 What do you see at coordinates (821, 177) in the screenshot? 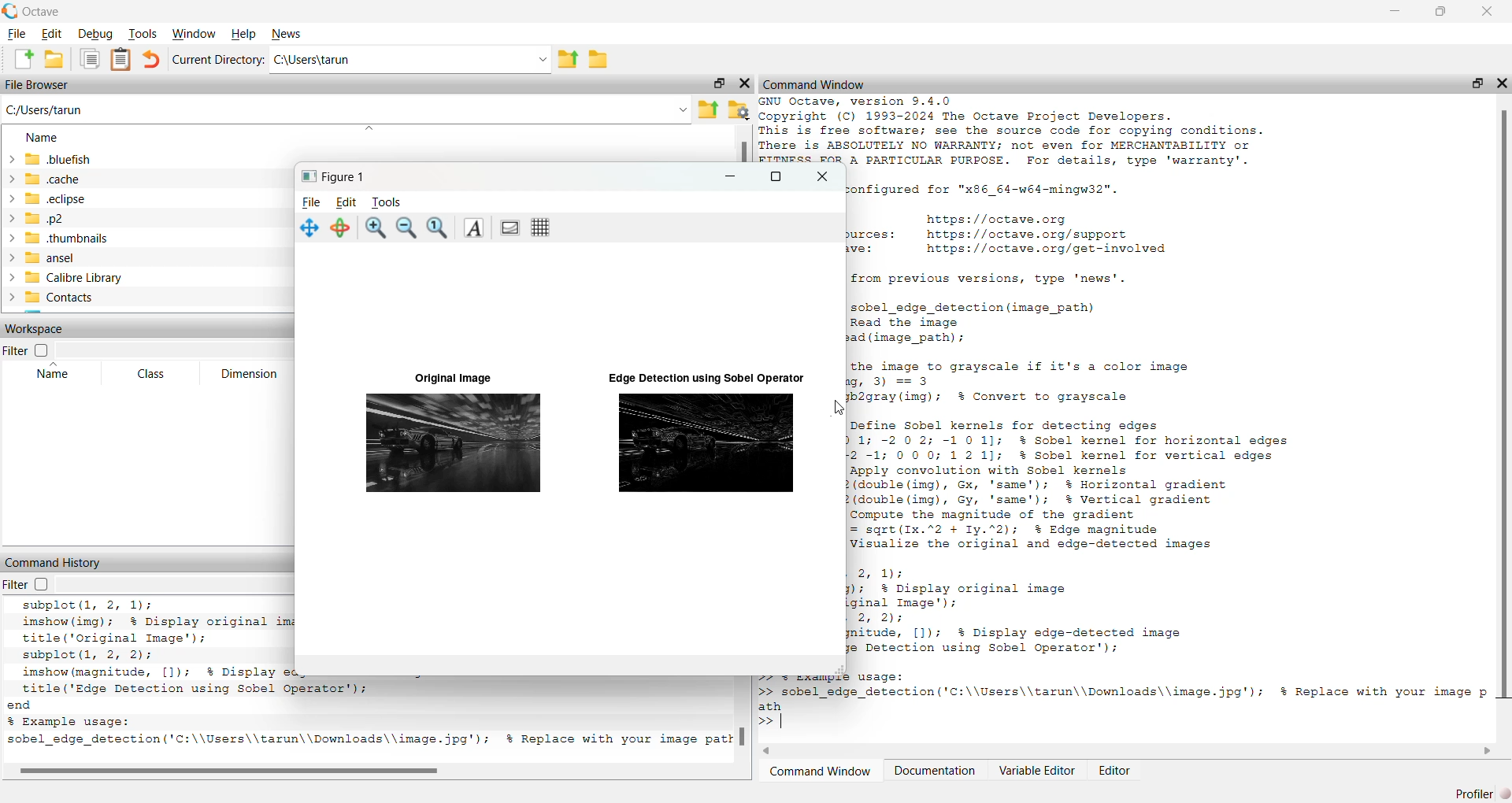
I see `close` at bounding box center [821, 177].